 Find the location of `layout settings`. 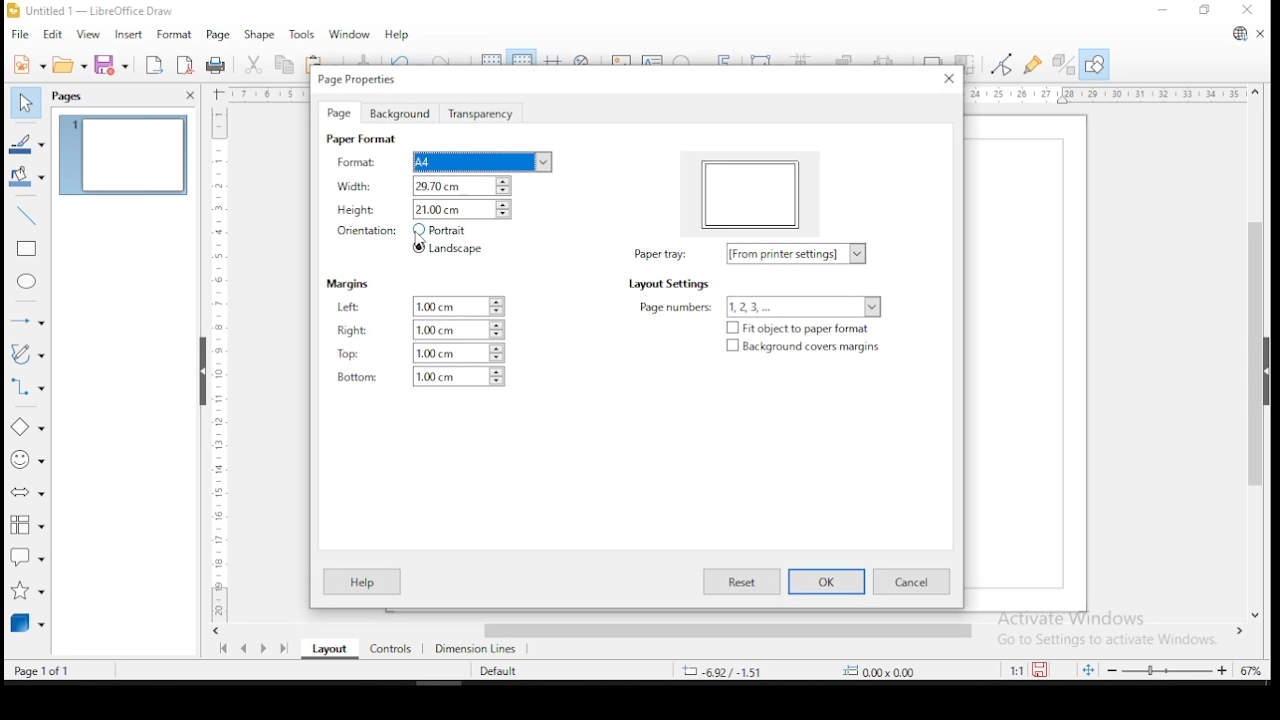

layout settings is located at coordinates (673, 284).